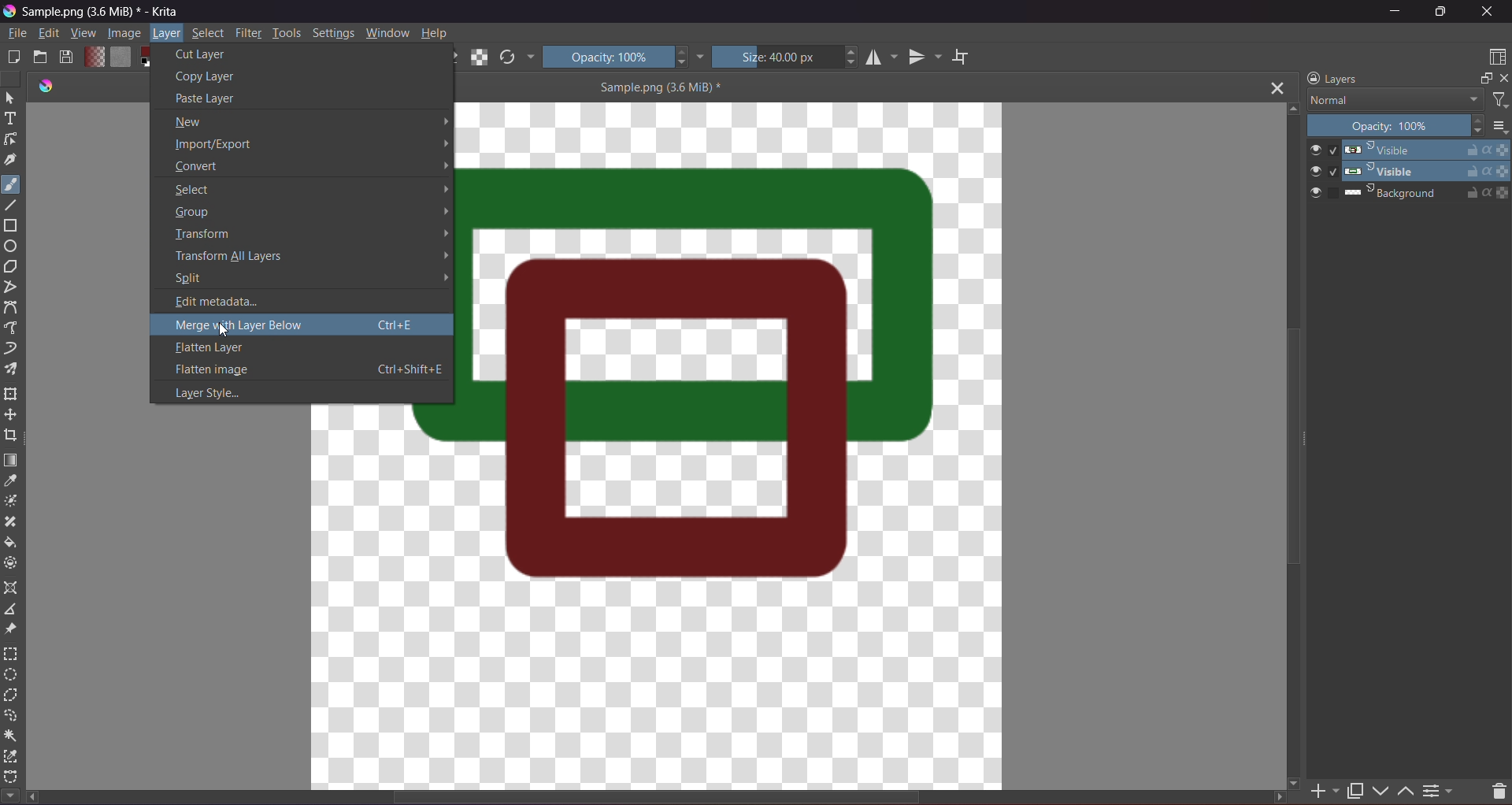 The height and width of the screenshot is (805, 1512). Describe the element at coordinates (1507, 82) in the screenshot. I see `Close Pane` at that location.